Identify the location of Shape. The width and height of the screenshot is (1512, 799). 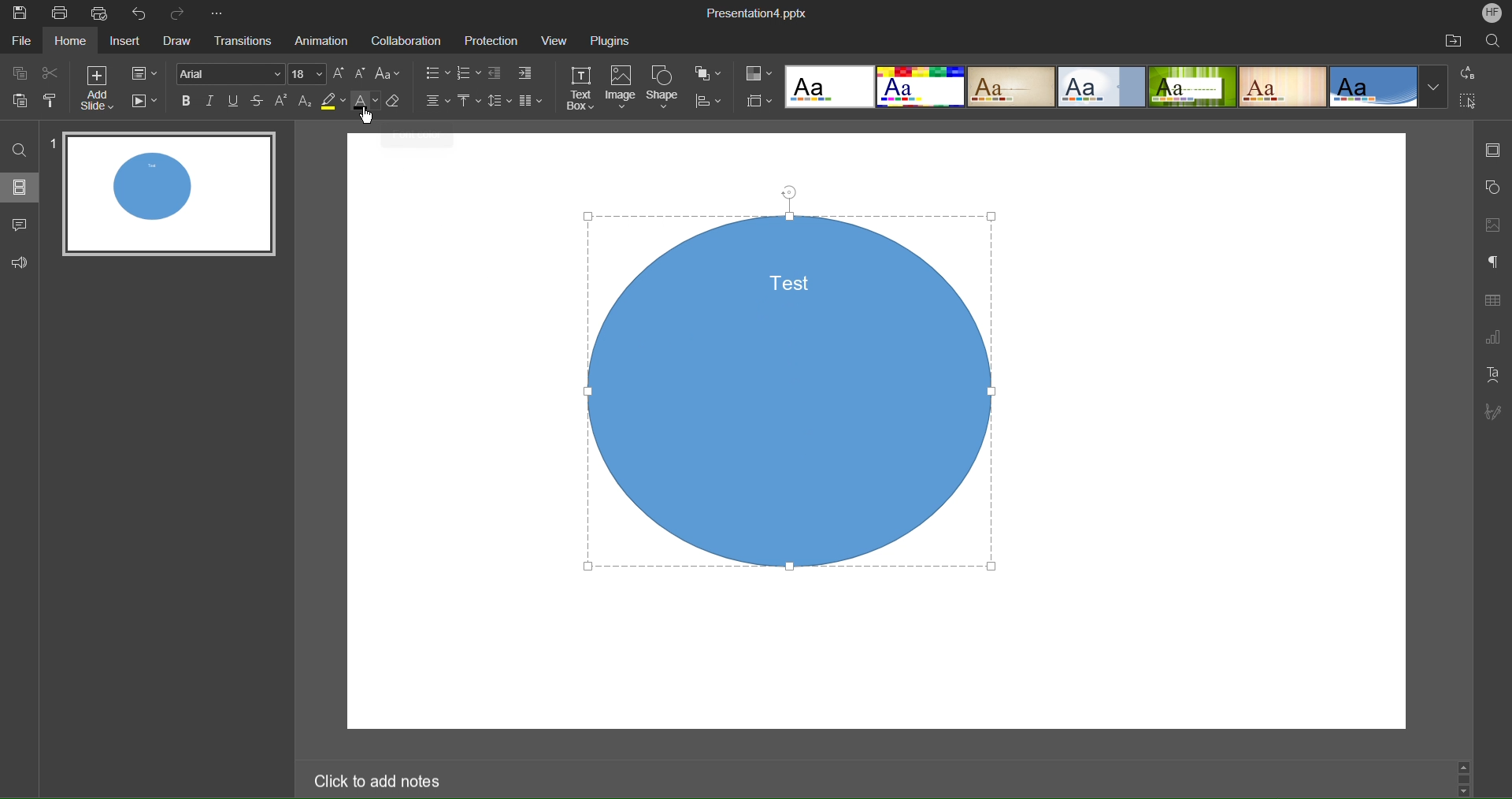
(665, 88).